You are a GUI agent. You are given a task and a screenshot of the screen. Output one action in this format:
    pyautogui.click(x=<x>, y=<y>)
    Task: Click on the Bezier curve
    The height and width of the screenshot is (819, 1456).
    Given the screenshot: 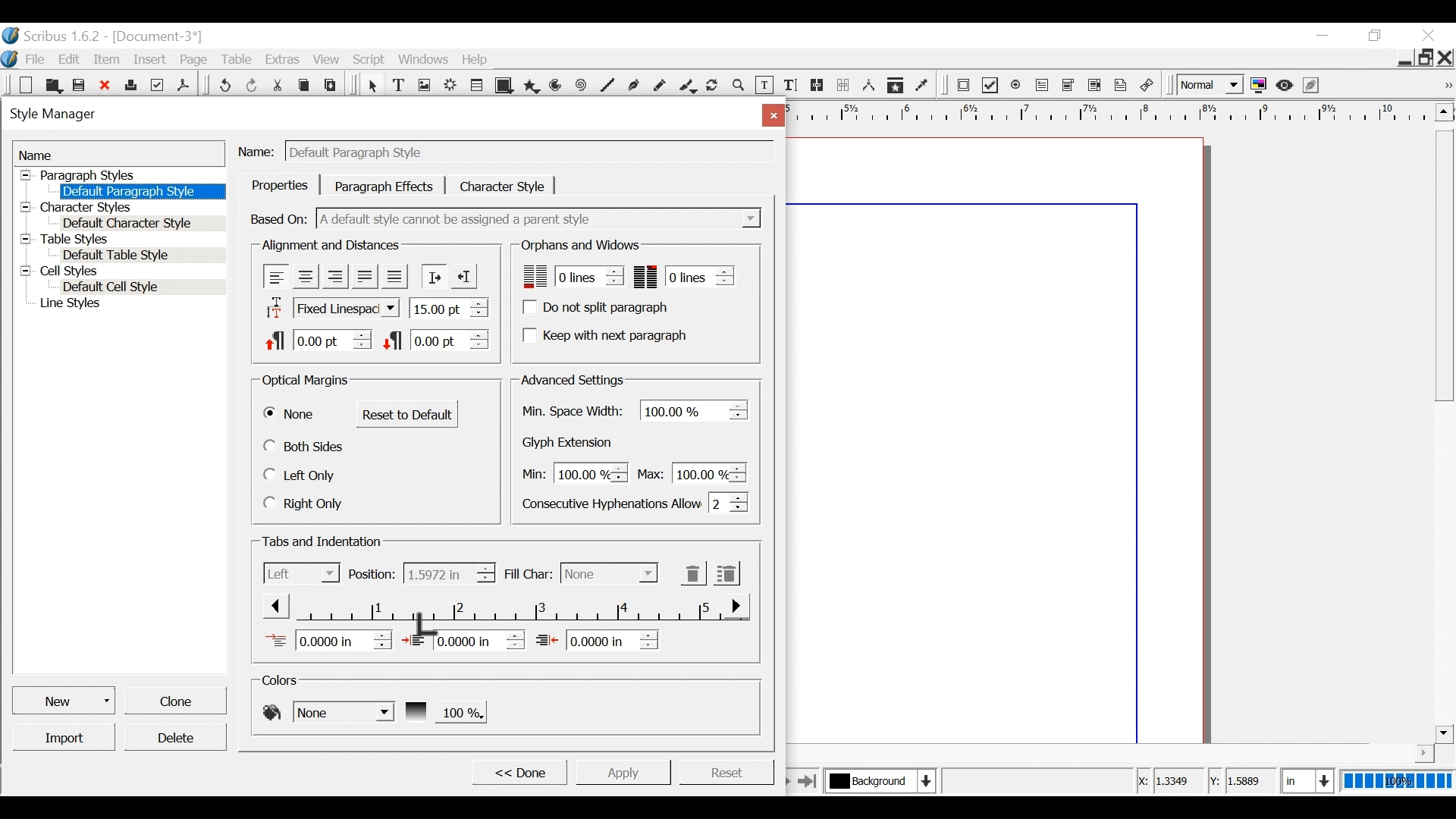 What is the action you would take?
    pyautogui.click(x=633, y=87)
    